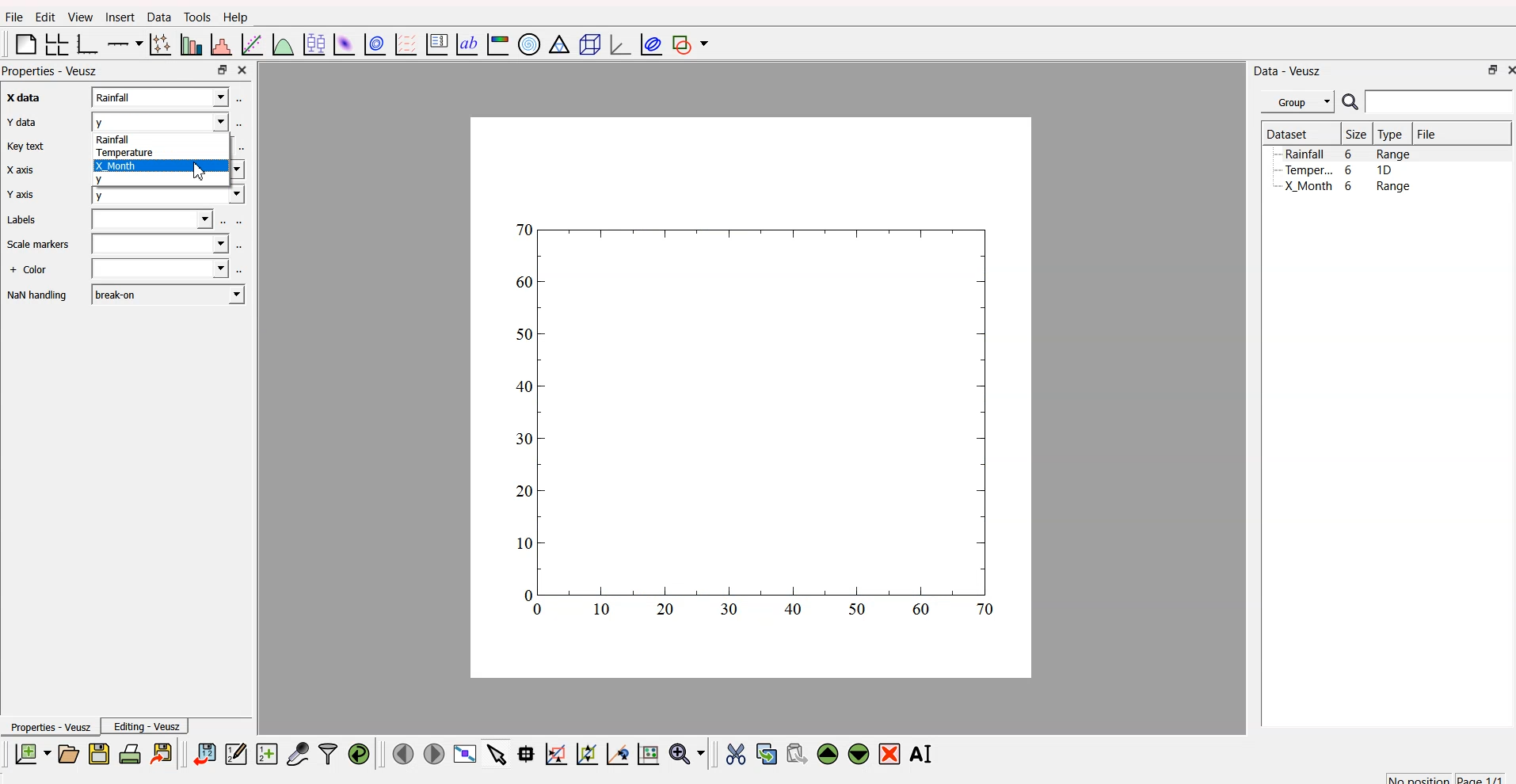  What do you see at coordinates (766, 752) in the screenshot?
I see `copy the widget` at bounding box center [766, 752].